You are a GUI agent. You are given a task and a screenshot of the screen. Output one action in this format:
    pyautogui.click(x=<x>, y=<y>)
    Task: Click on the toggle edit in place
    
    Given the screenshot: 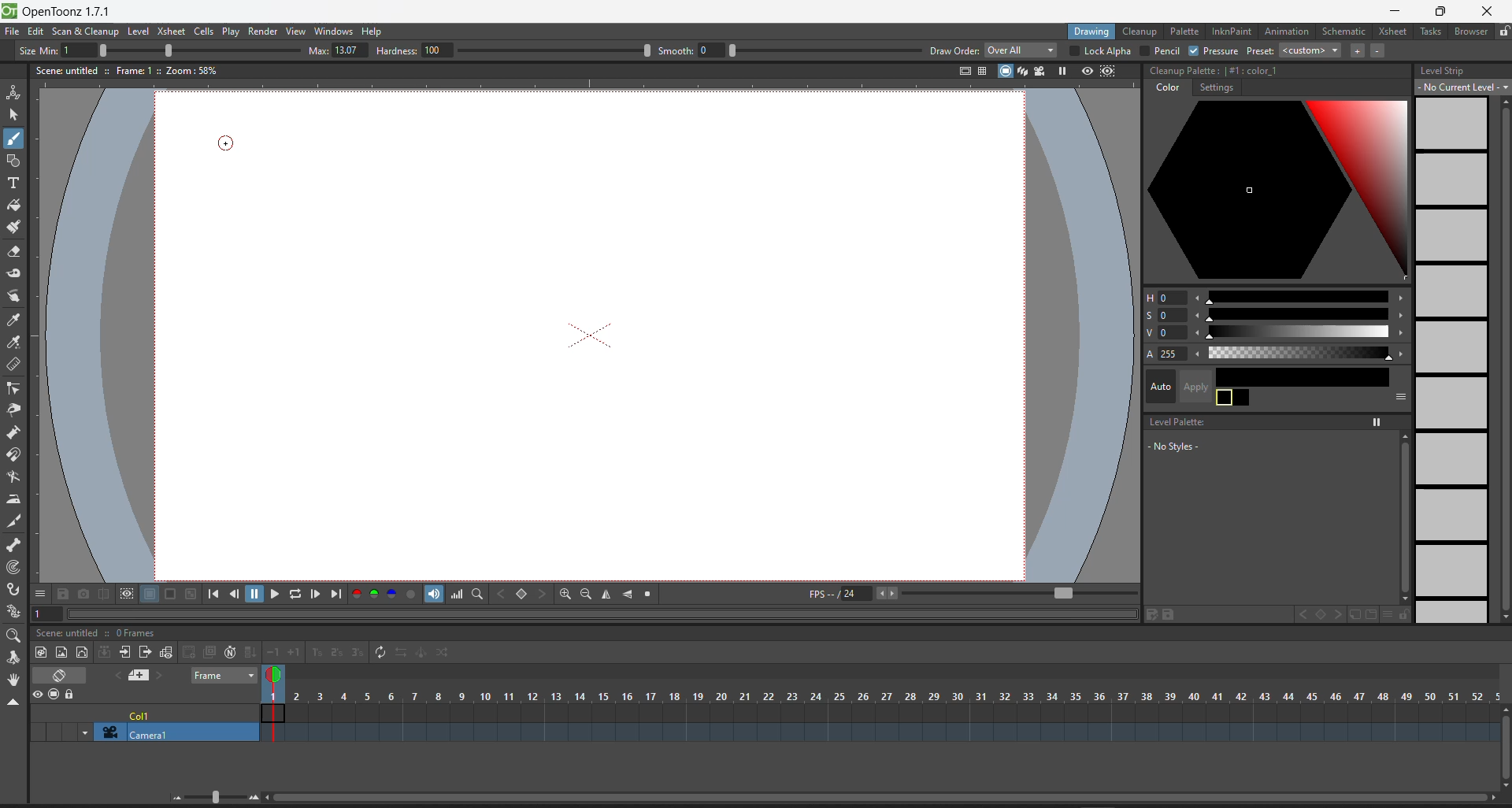 What is the action you would take?
    pyautogui.click(x=166, y=652)
    